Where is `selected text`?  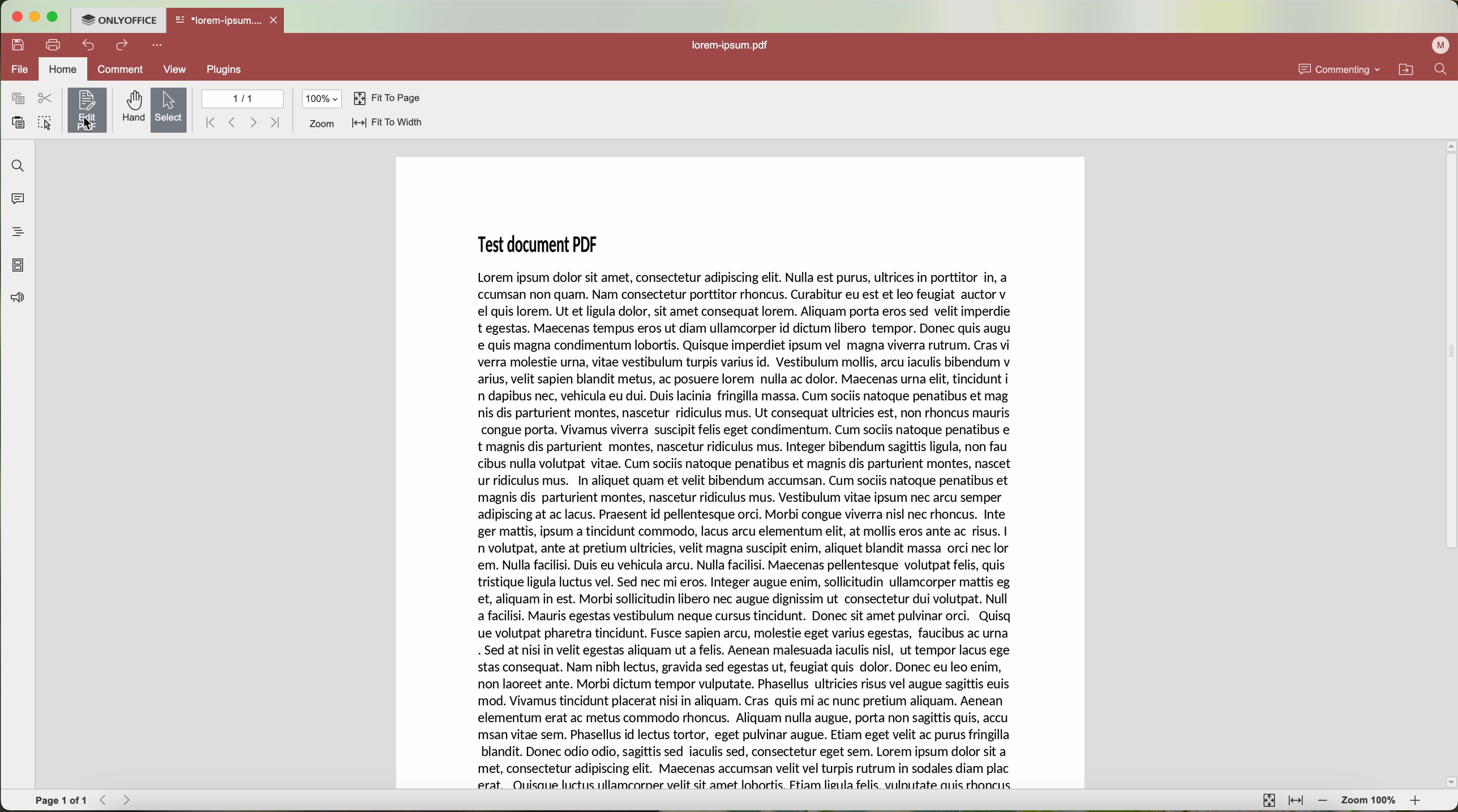 selected text is located at coordinates (749, 527).